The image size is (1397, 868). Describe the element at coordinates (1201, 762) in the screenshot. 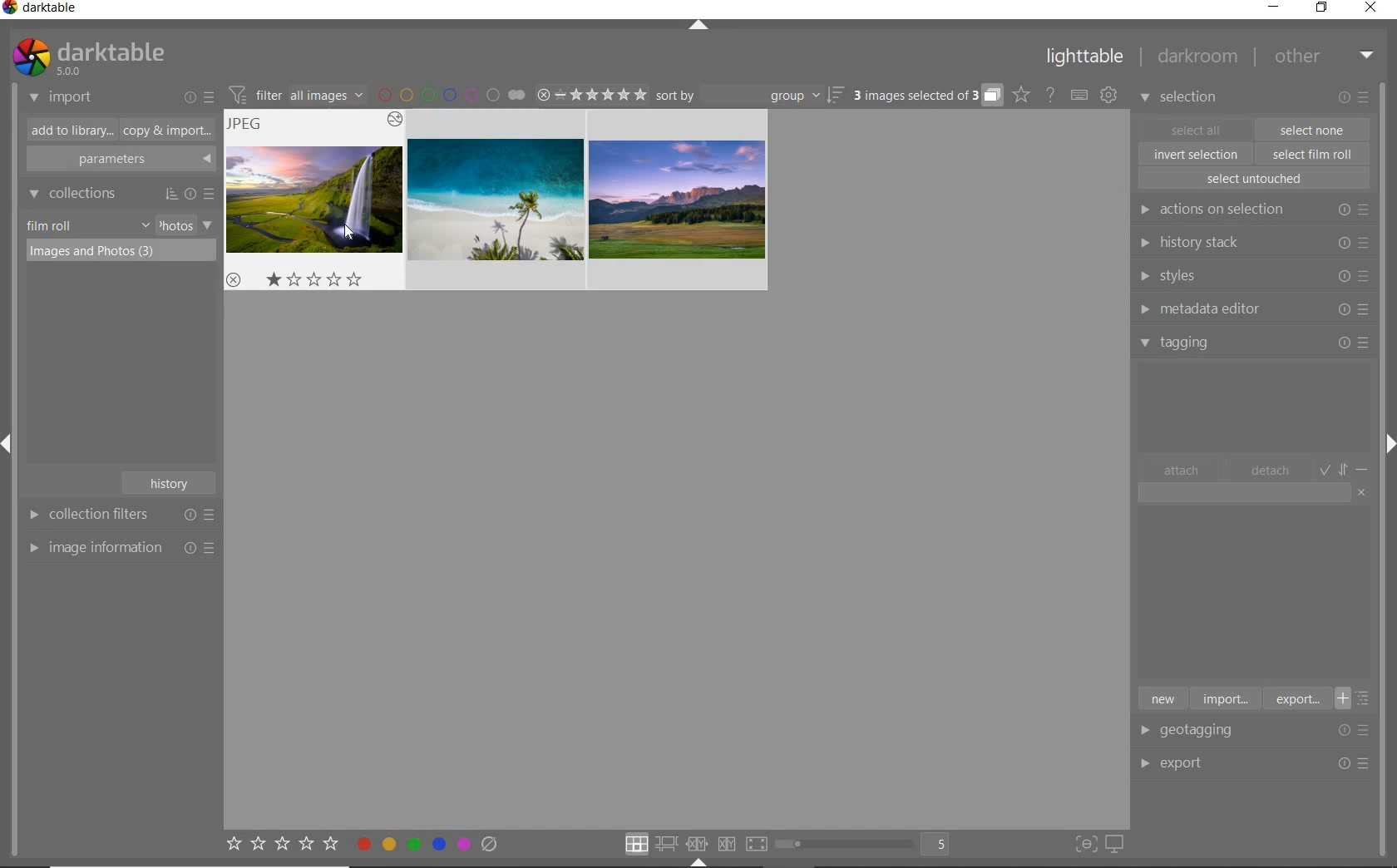

I see `export` at that location.